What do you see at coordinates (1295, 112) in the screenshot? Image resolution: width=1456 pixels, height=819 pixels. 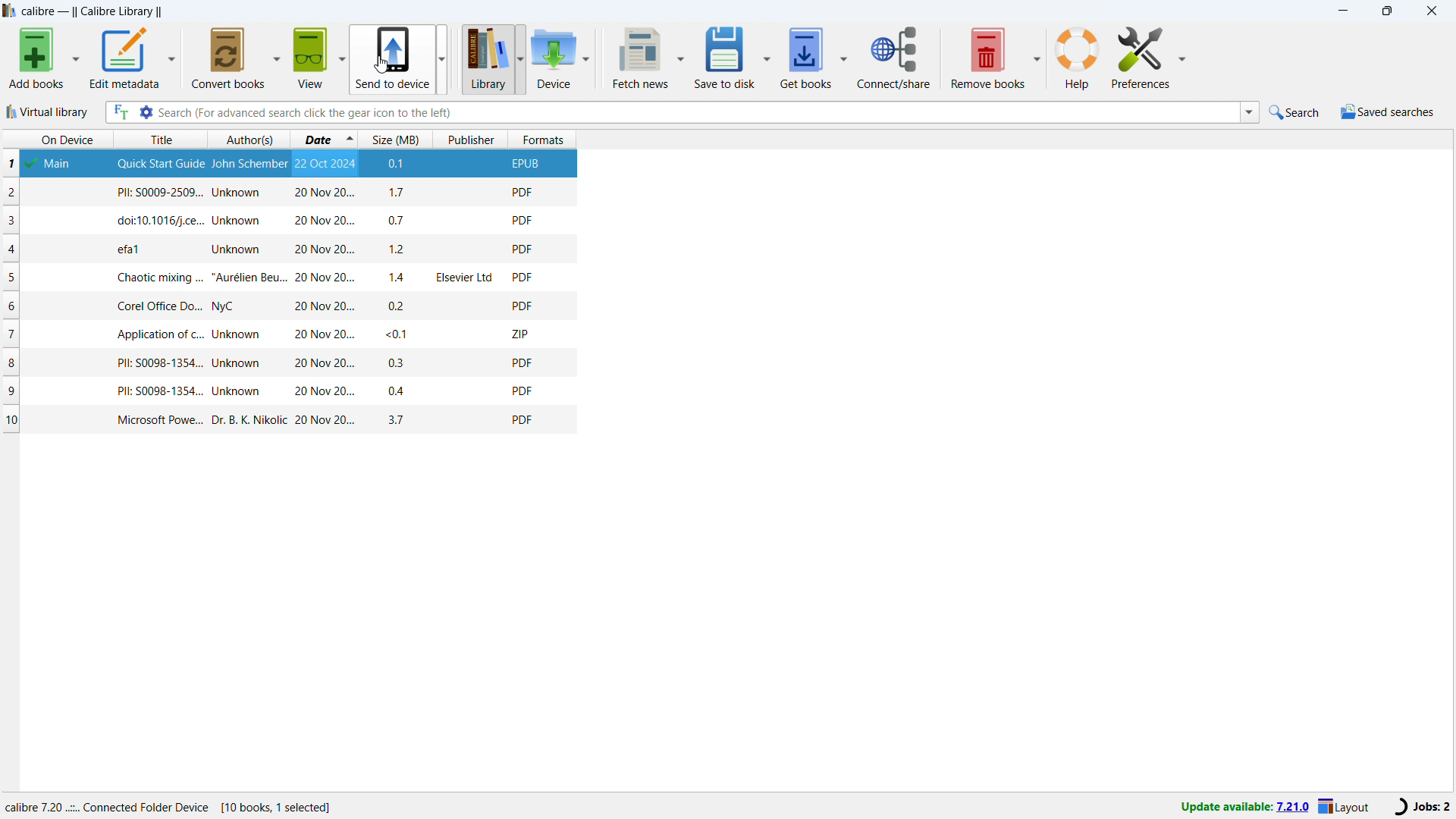 I see `quick search` at bounding box center [1295, 112].